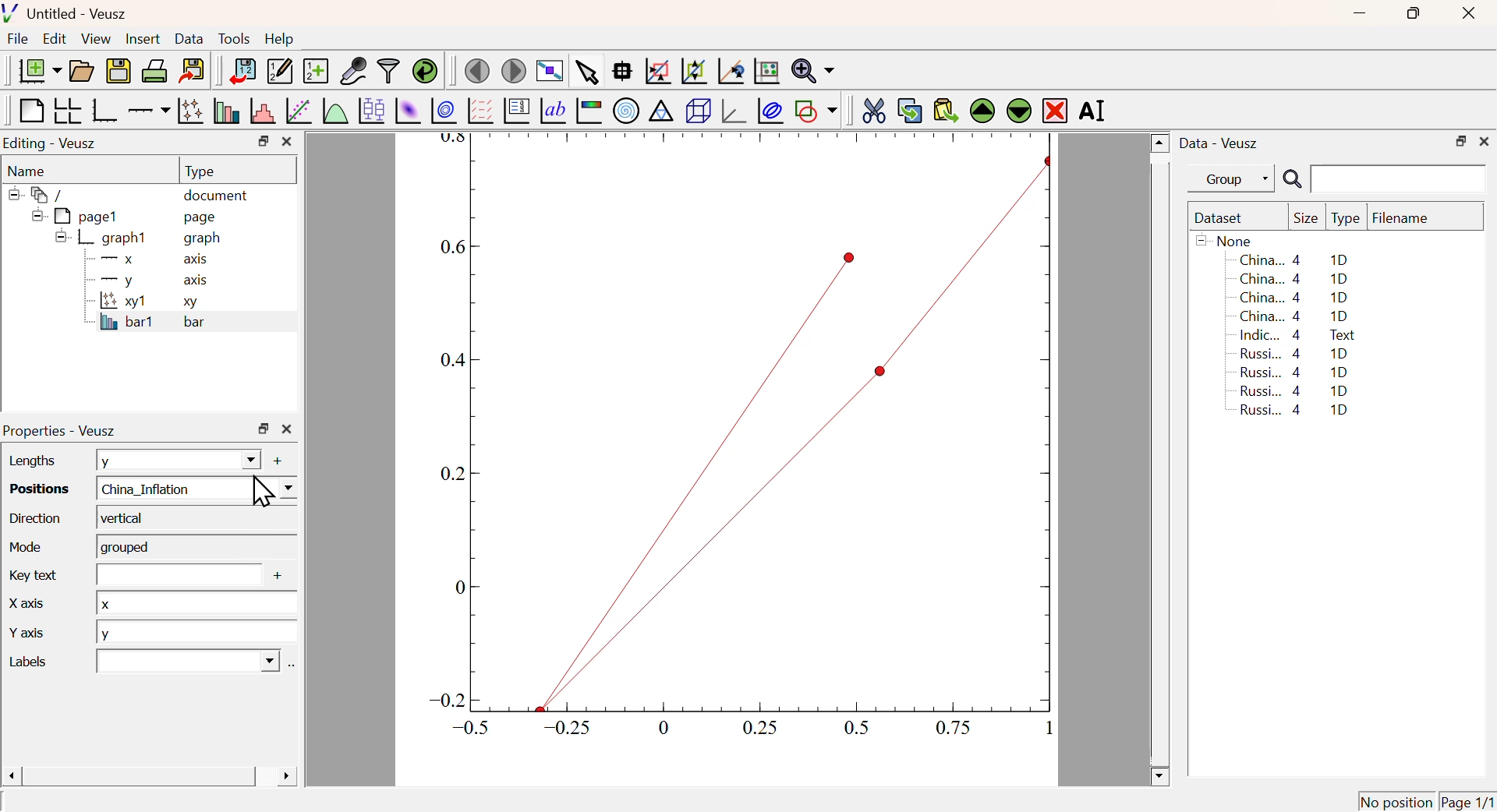 This screenshot has height=812, width=1497. I want to click on Fit a function to data, so click(299, 112).